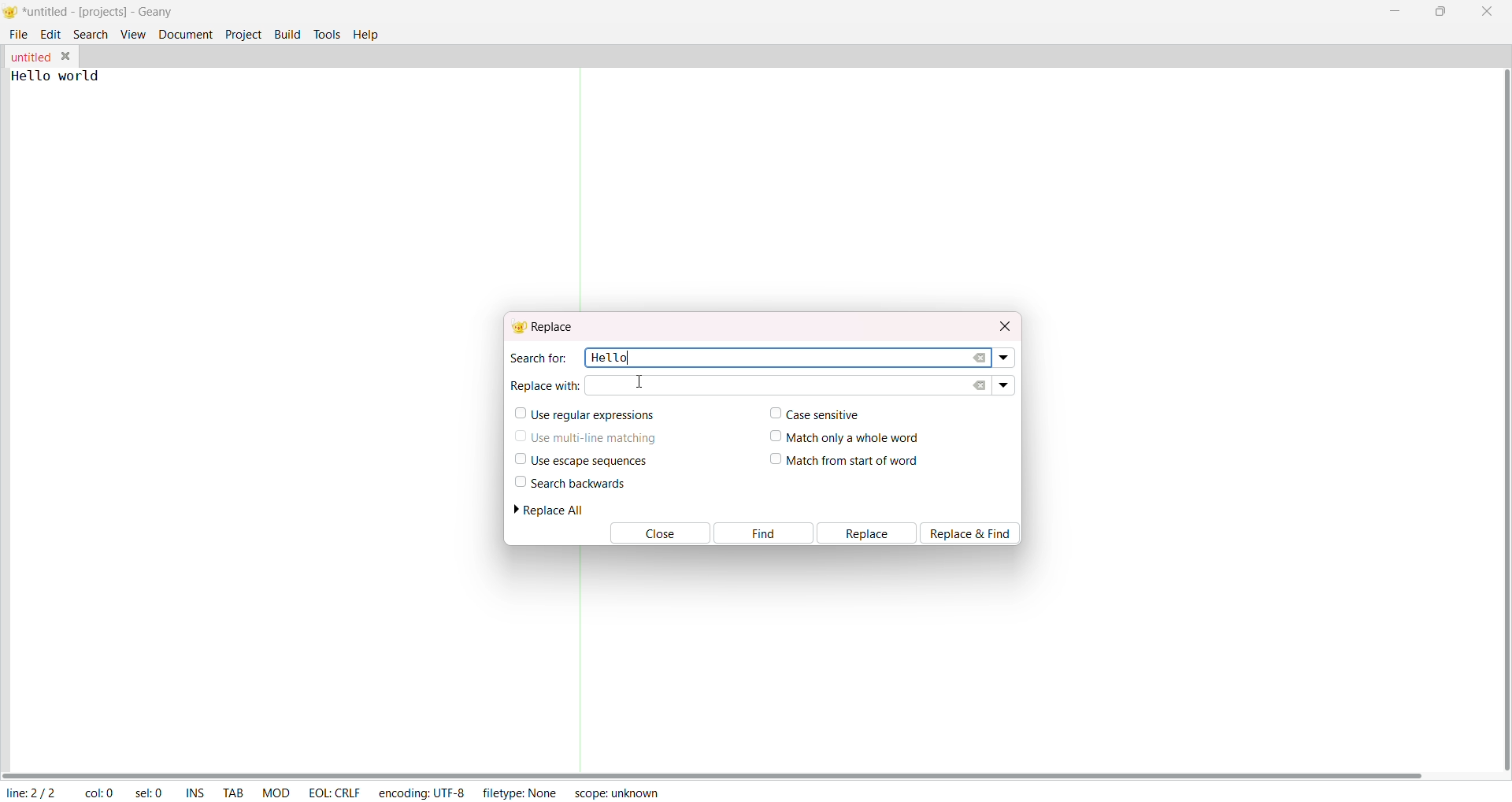 The image size is (1512, 802). Describe the element at coordinates (583, 190) in the screenshot. I see `Separator` at that location.